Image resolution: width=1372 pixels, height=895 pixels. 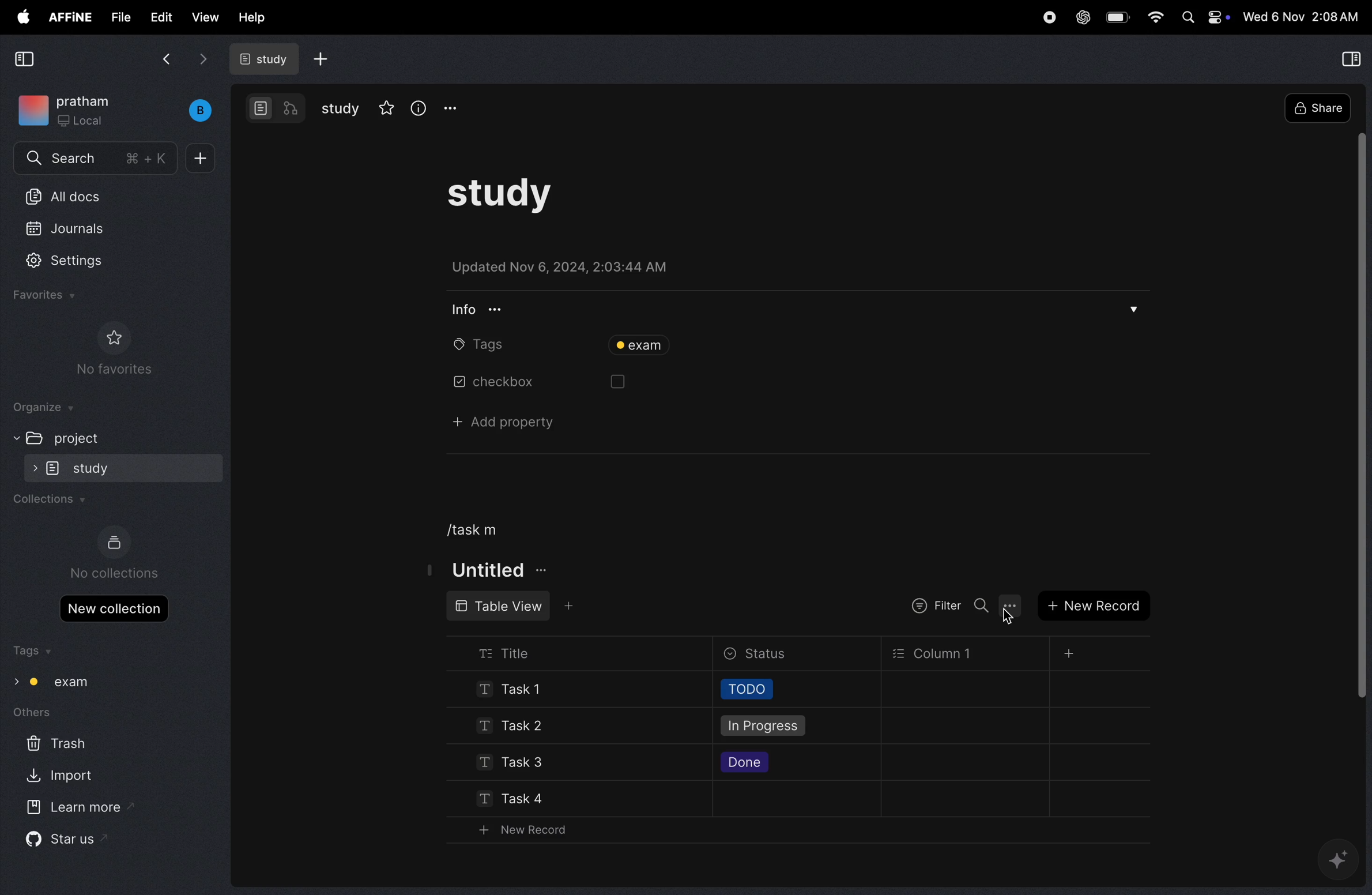 What do you see at coordinates (485, 570) in the screenshot?
I see `titke` at bounding box center [485, 570].